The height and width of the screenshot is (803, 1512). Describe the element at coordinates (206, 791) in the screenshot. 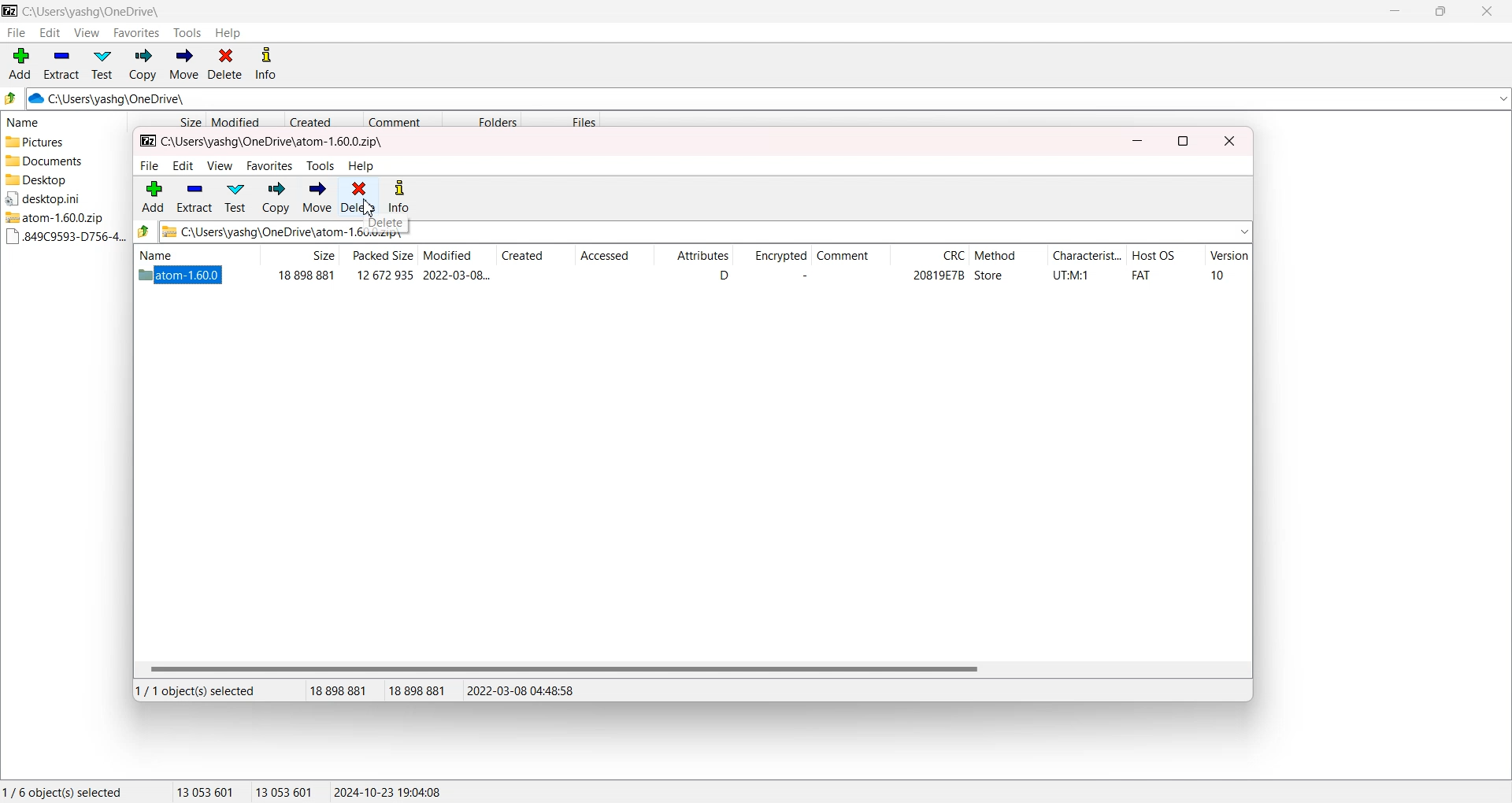

I see `13 053 601` at that location.